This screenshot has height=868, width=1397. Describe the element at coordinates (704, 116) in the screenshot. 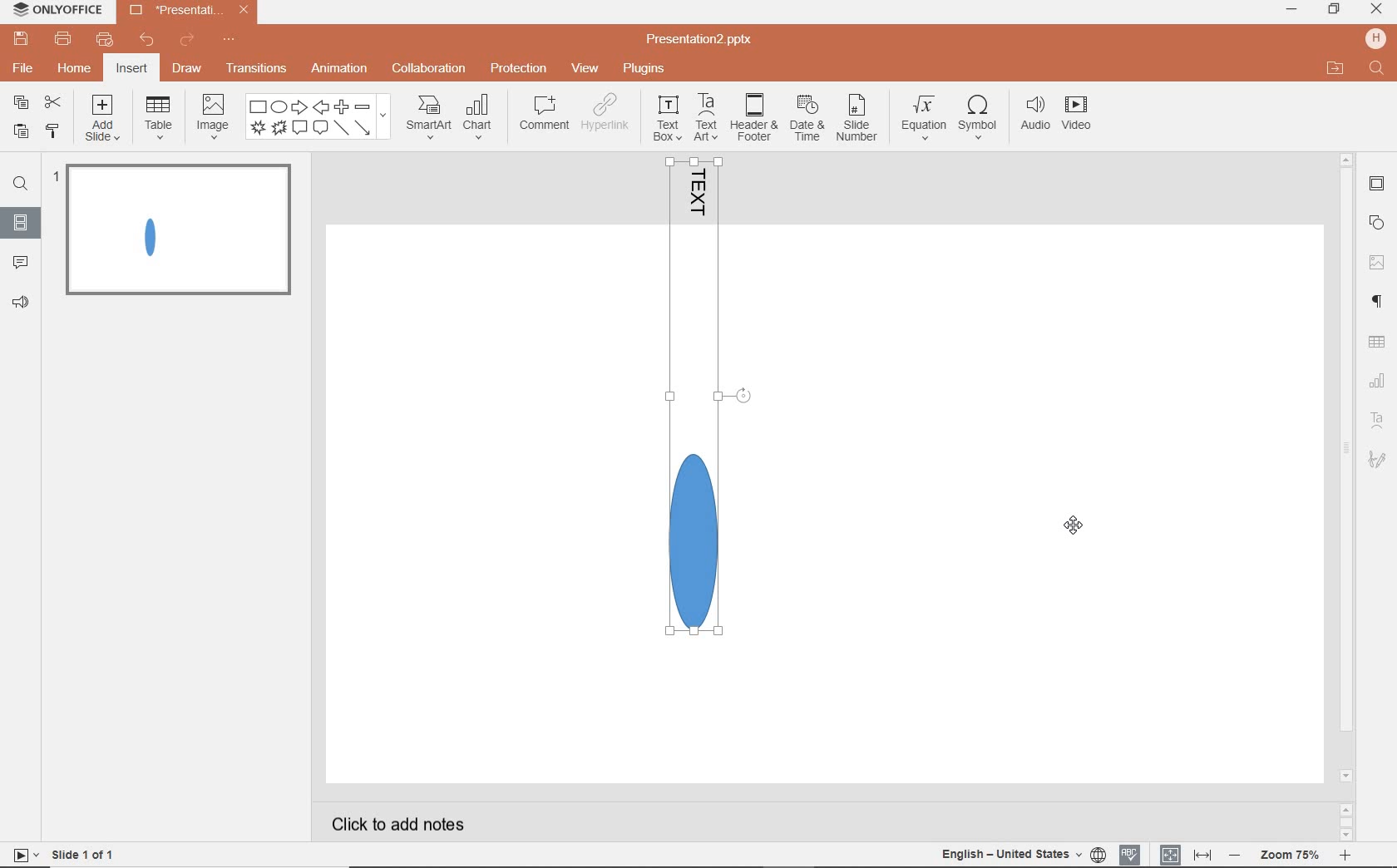

I see `textart` at that location.